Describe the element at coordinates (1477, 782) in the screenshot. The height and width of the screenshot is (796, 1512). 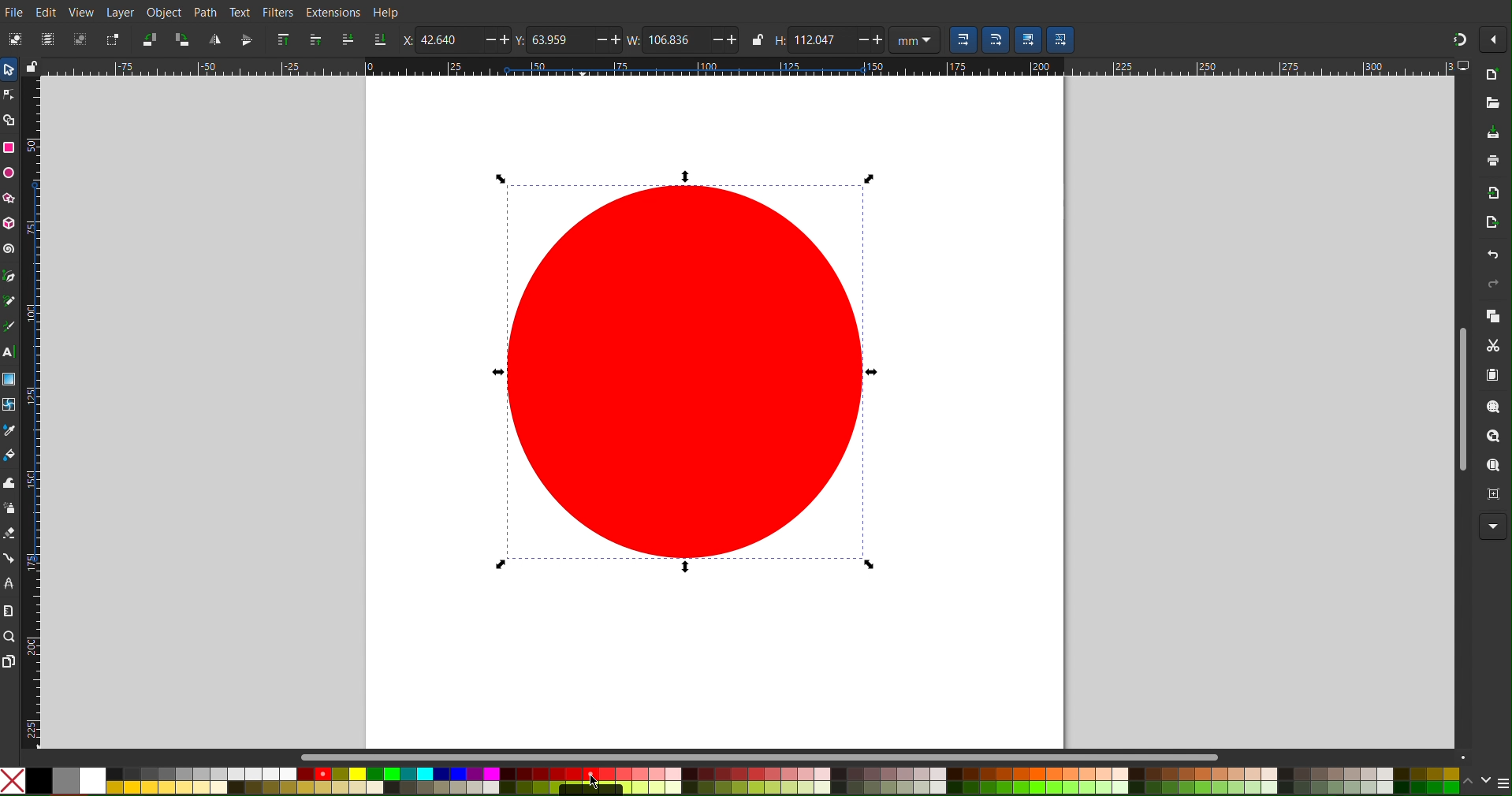
I see `scroll color options` at that location.